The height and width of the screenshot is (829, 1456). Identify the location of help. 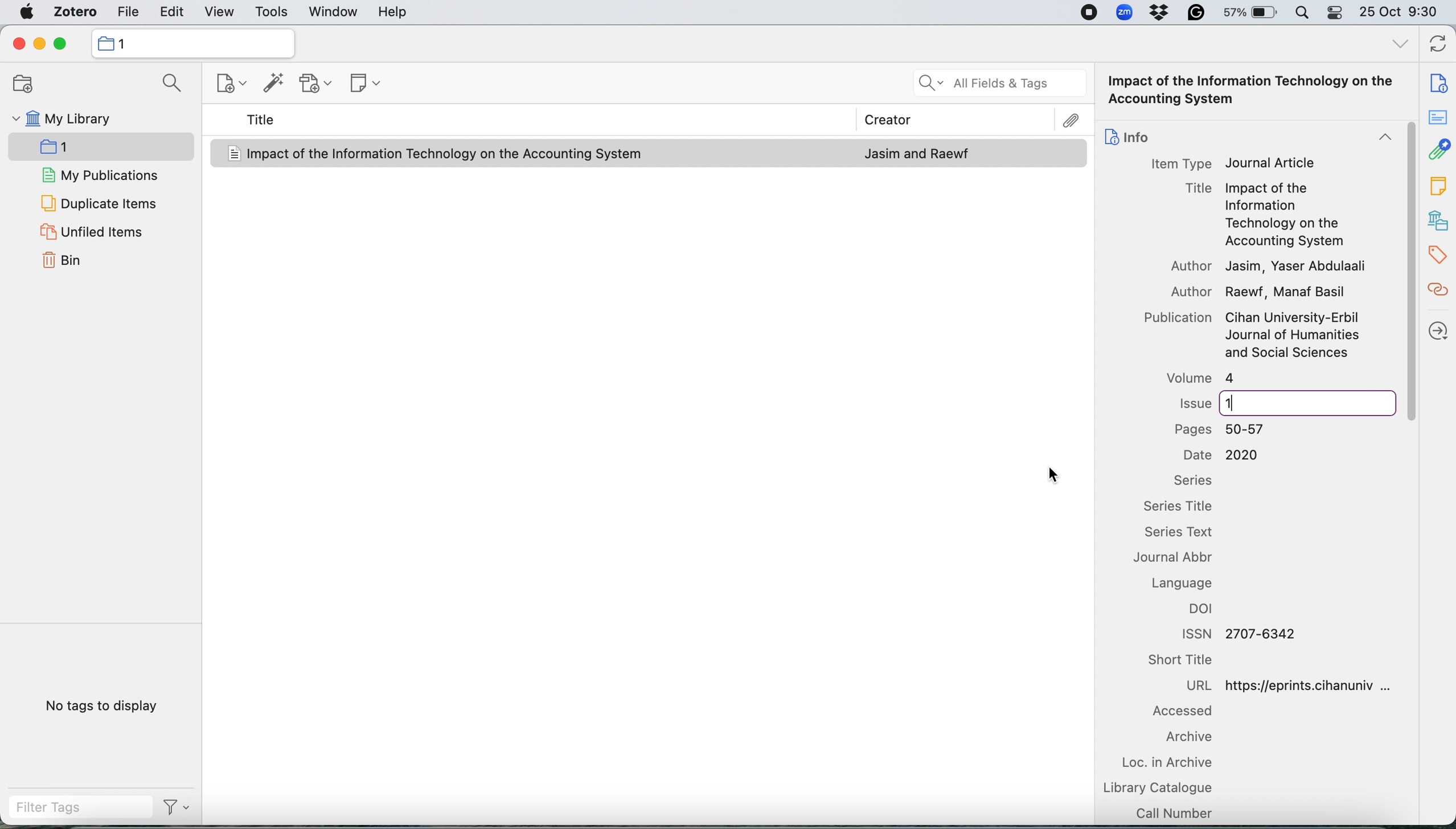
(396, 12).